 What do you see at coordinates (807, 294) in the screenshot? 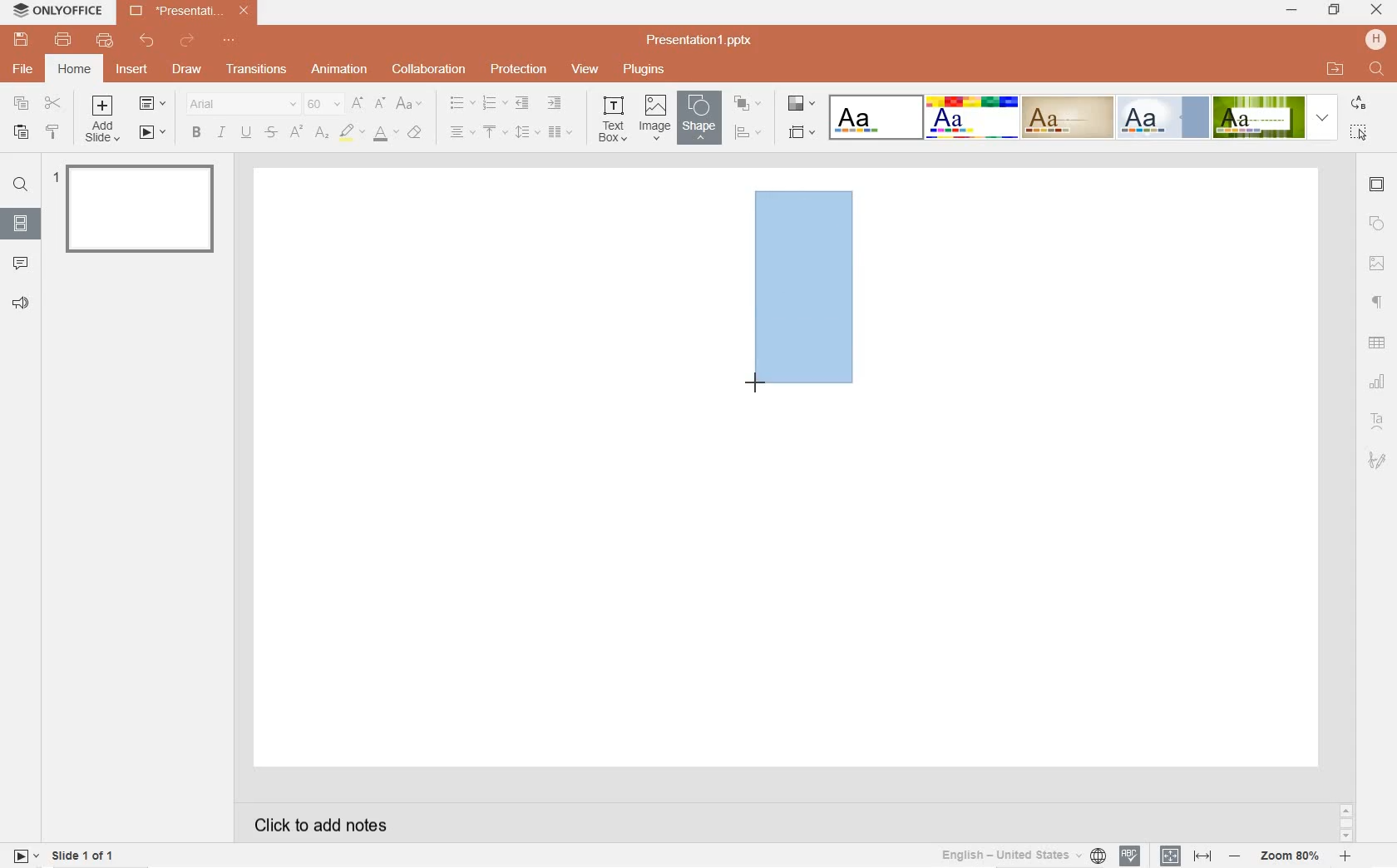
I see `mock rectangle shape` at bounding box center [807, 294].